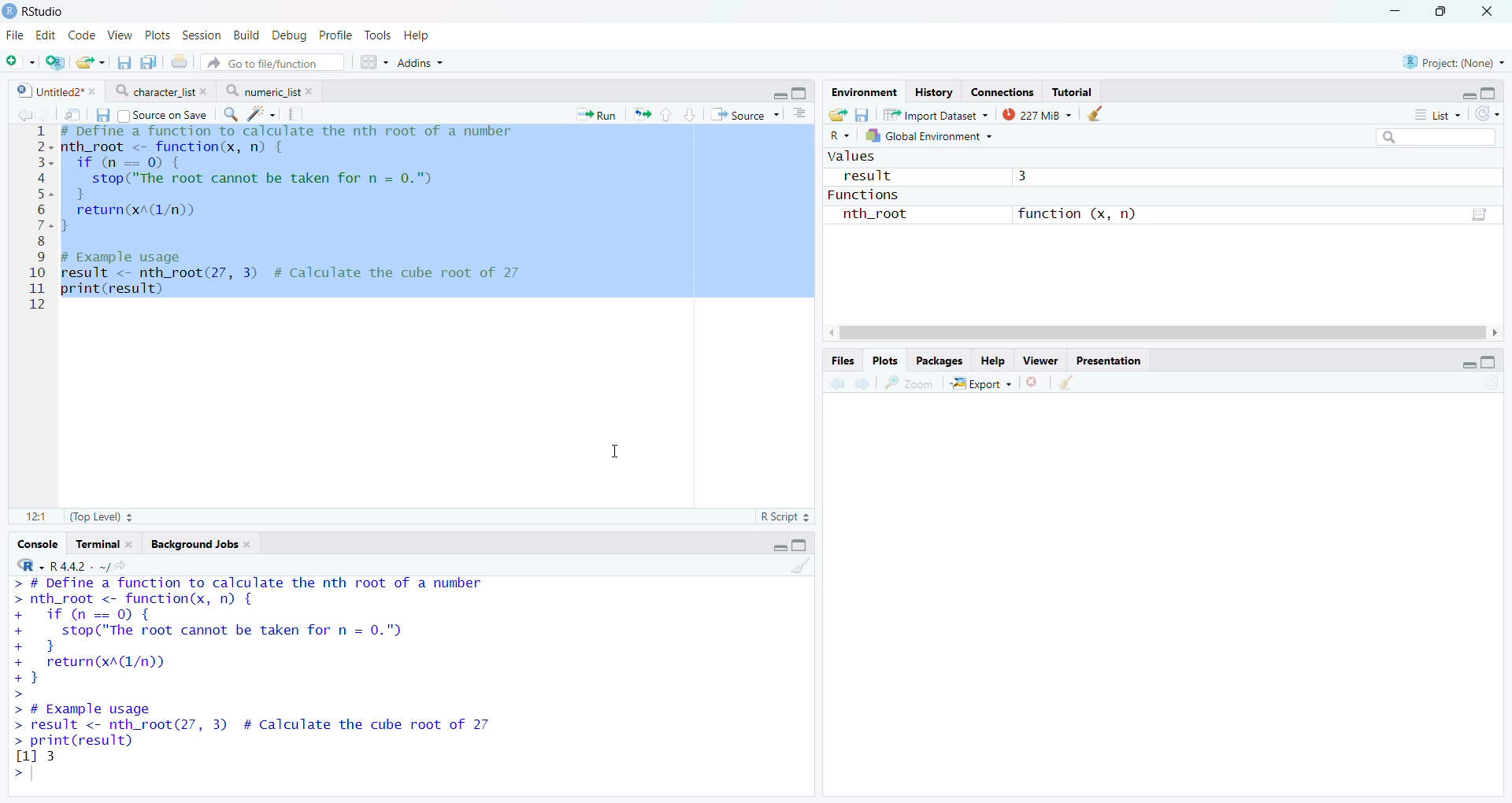  I want to click on Source on Save, so click(162, 115).